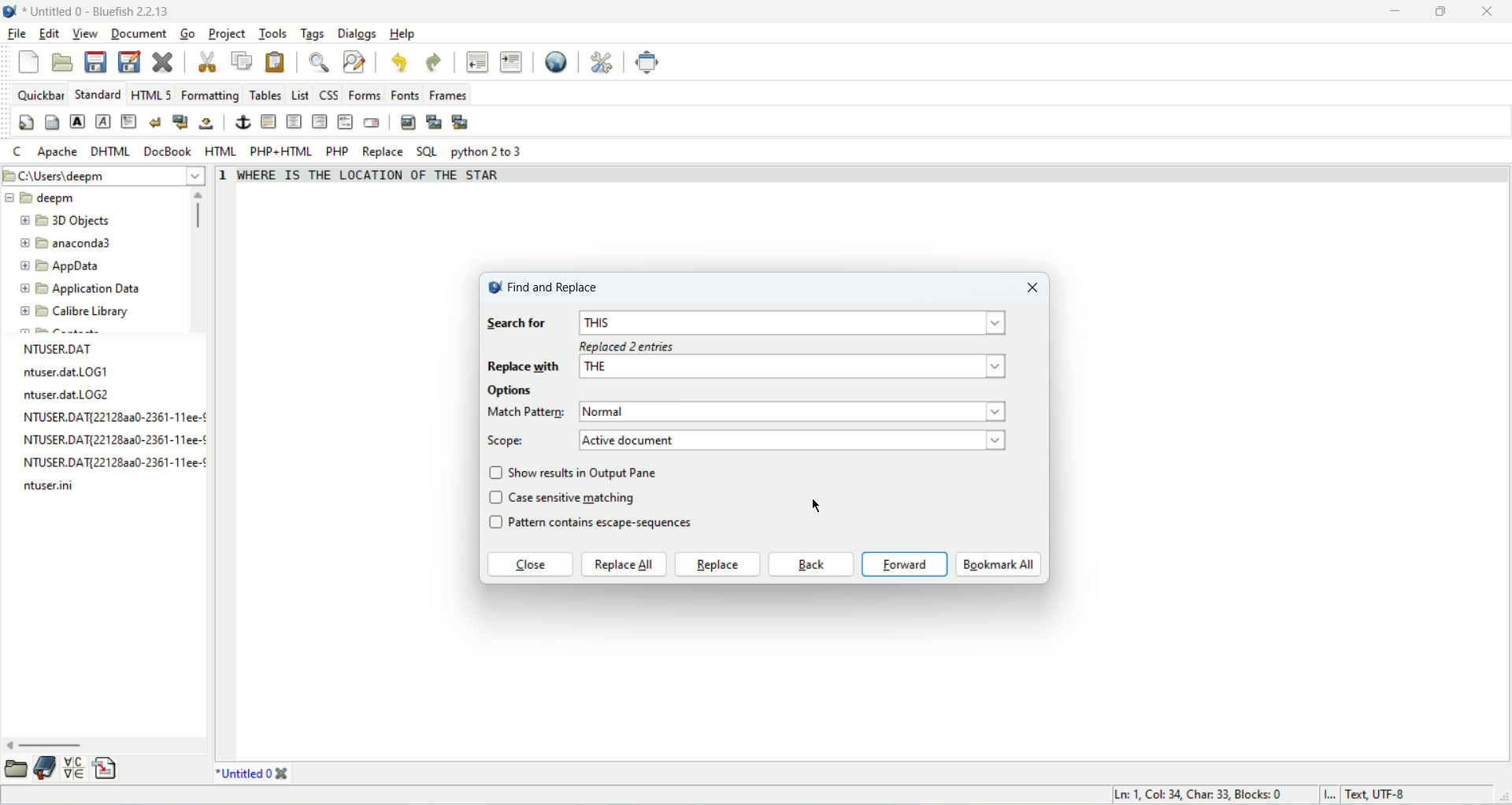 The height and width of the screenshot is (805, 1512). What do you see at coordinates (201, 259) in the screenshot?
I see `scroll bar` at bounding box center [201, 259].